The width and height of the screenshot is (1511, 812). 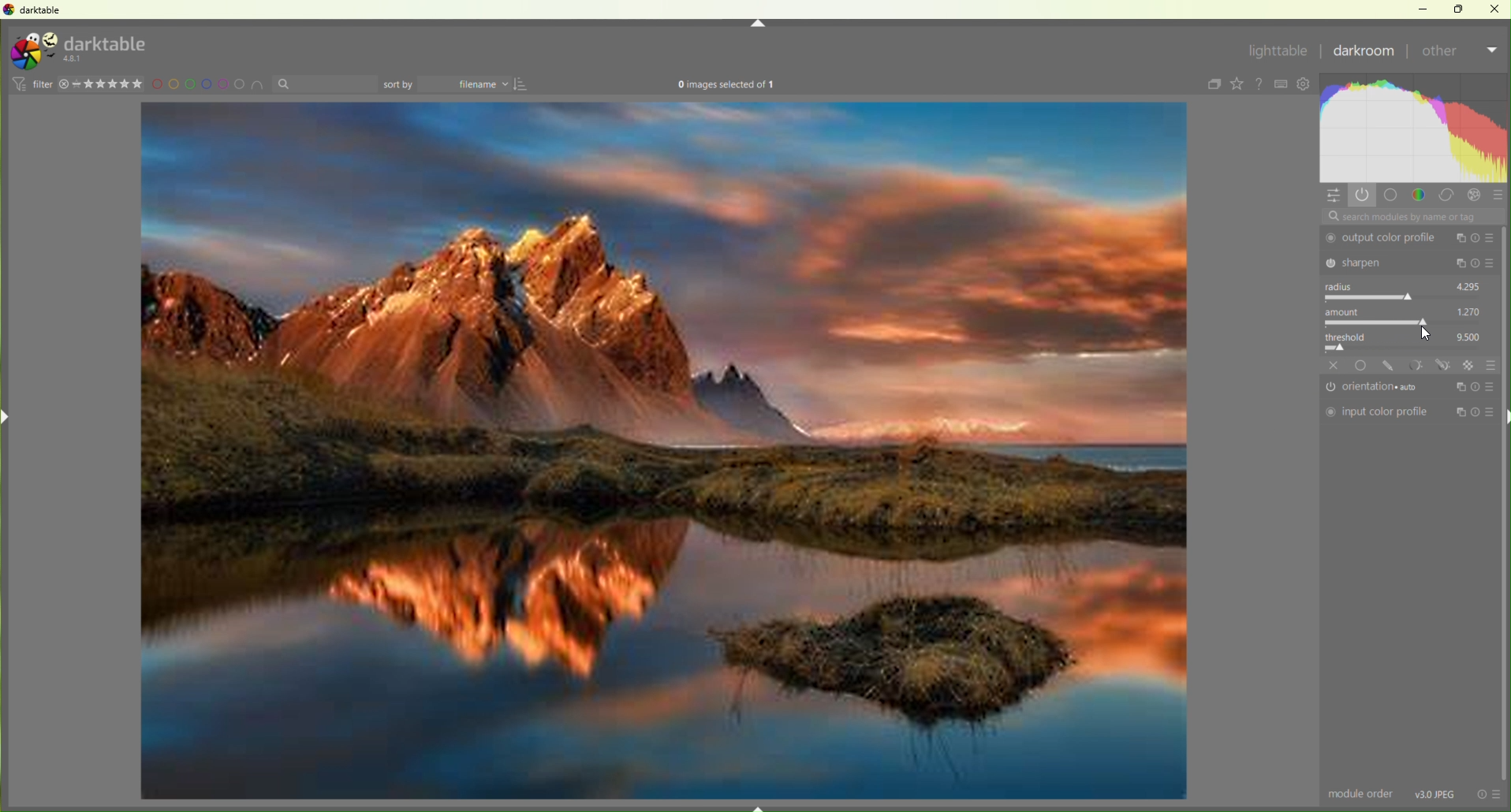 I want to click on close, so click(x=1495, y=8).